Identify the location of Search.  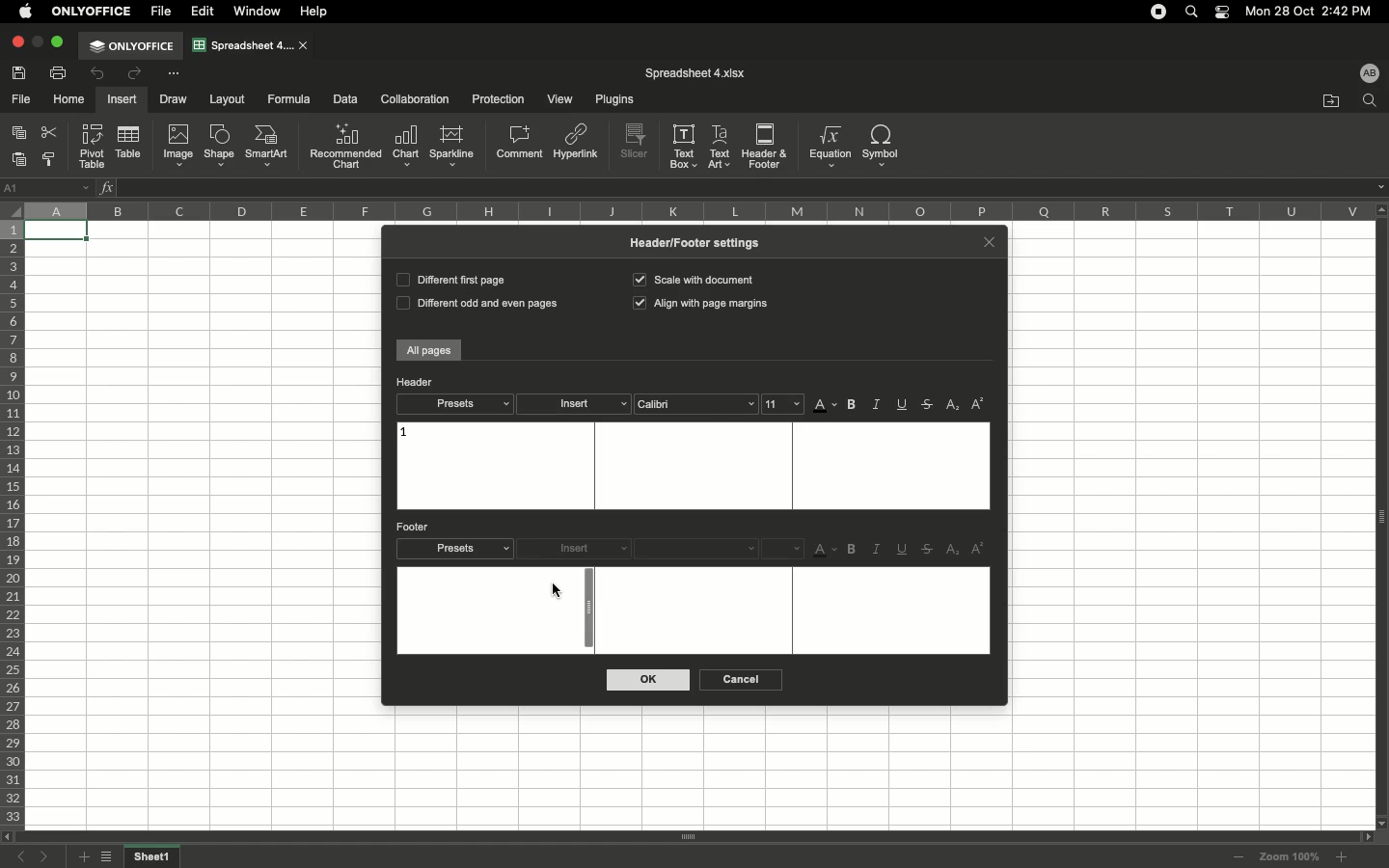
(1194, 11).